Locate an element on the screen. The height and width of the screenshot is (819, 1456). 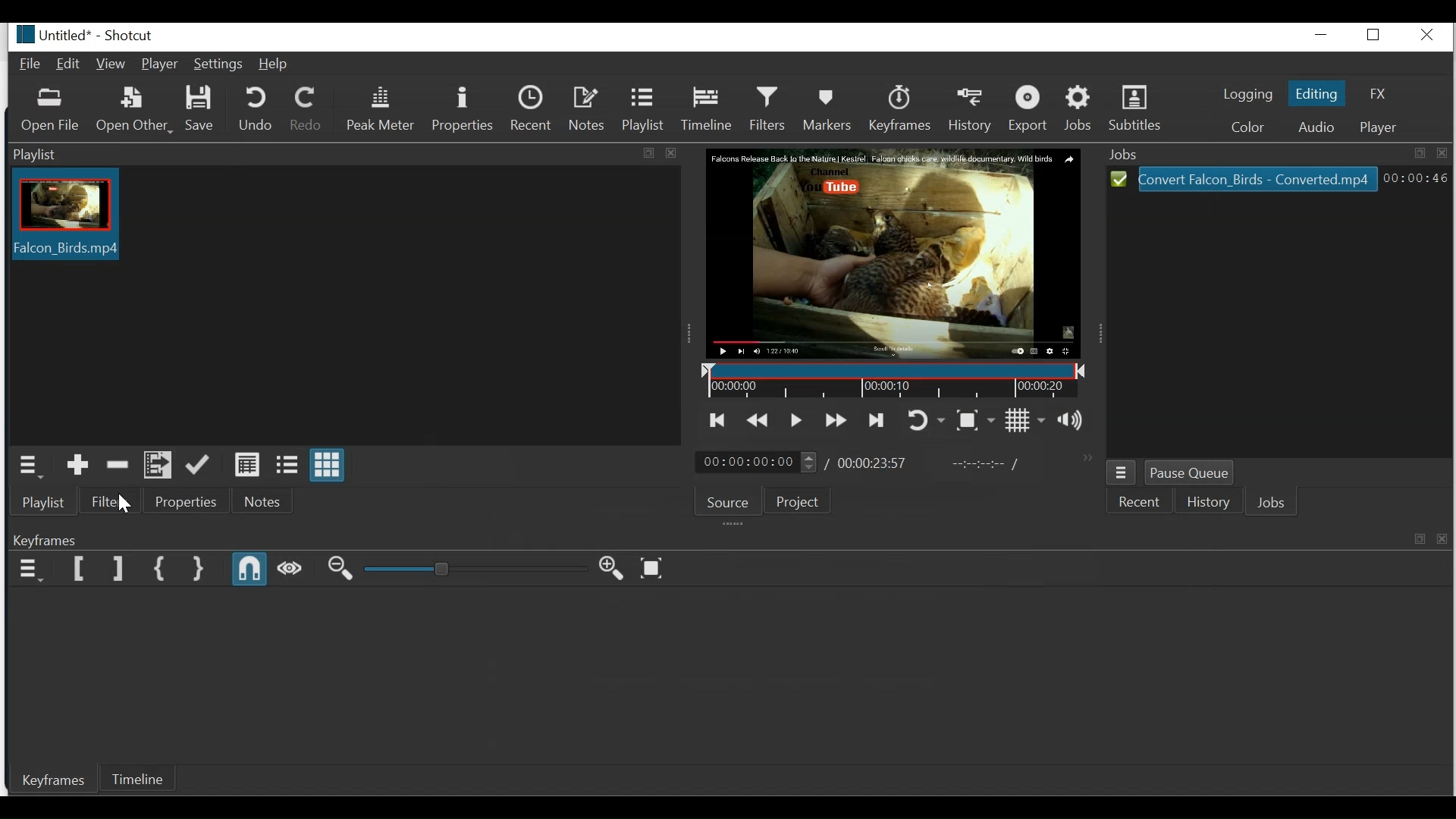
Notes is located at coordinates (262, 503).